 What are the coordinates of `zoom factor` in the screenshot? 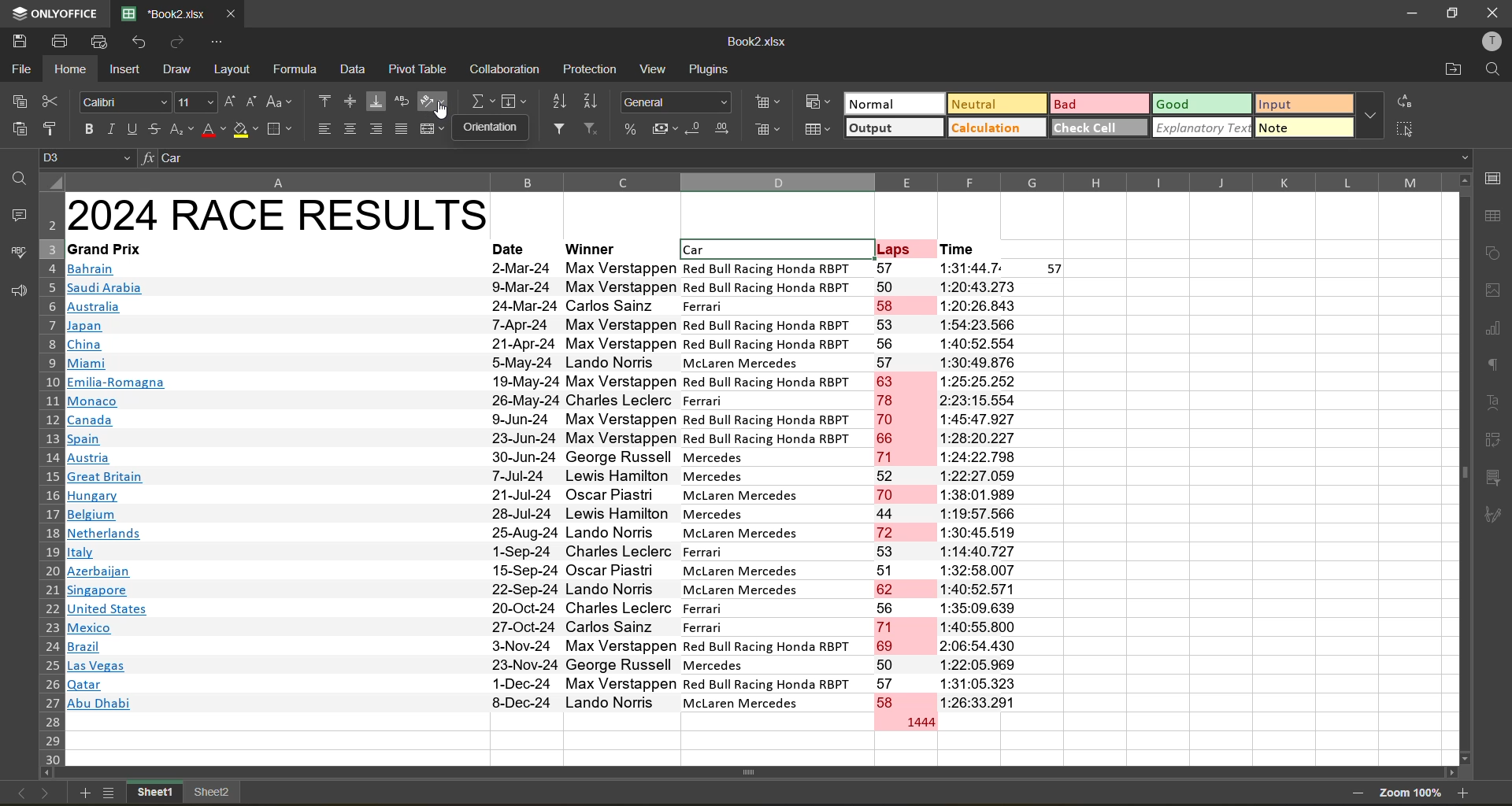 It's located at (1411, 793).